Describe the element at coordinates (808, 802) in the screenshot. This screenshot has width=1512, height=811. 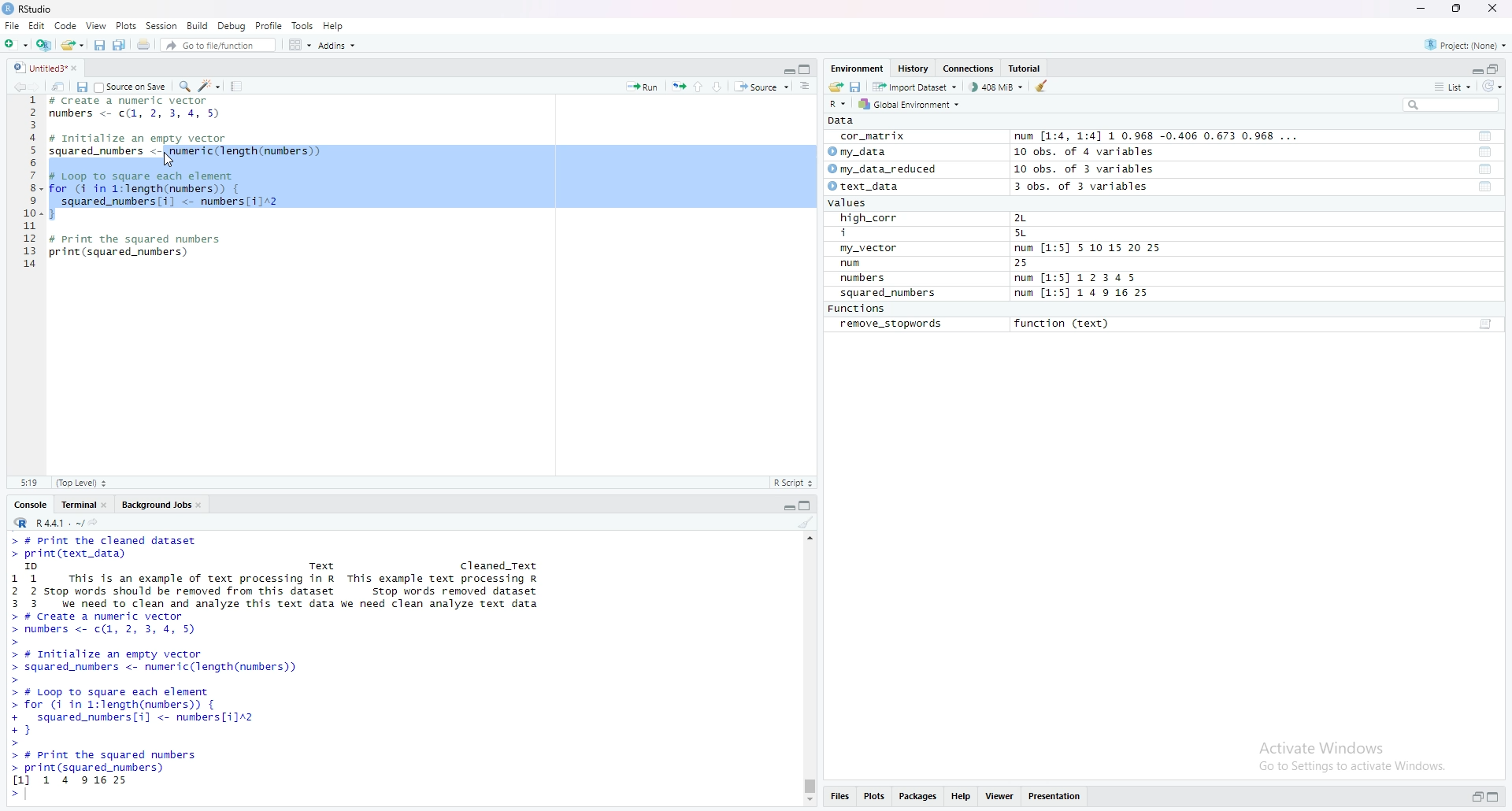
I see `scrollbar down` at that location.